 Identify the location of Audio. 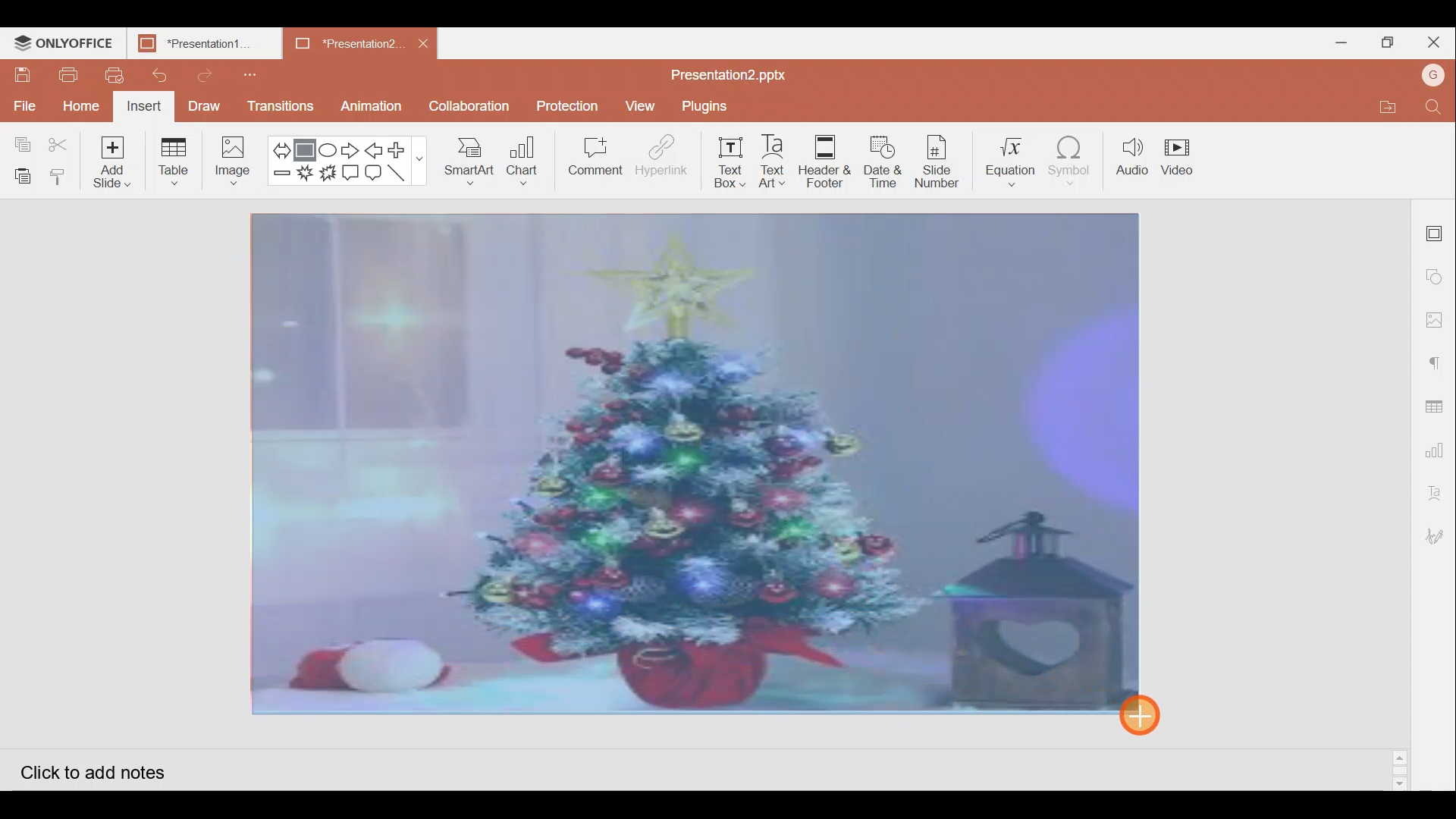
(1132, 159).